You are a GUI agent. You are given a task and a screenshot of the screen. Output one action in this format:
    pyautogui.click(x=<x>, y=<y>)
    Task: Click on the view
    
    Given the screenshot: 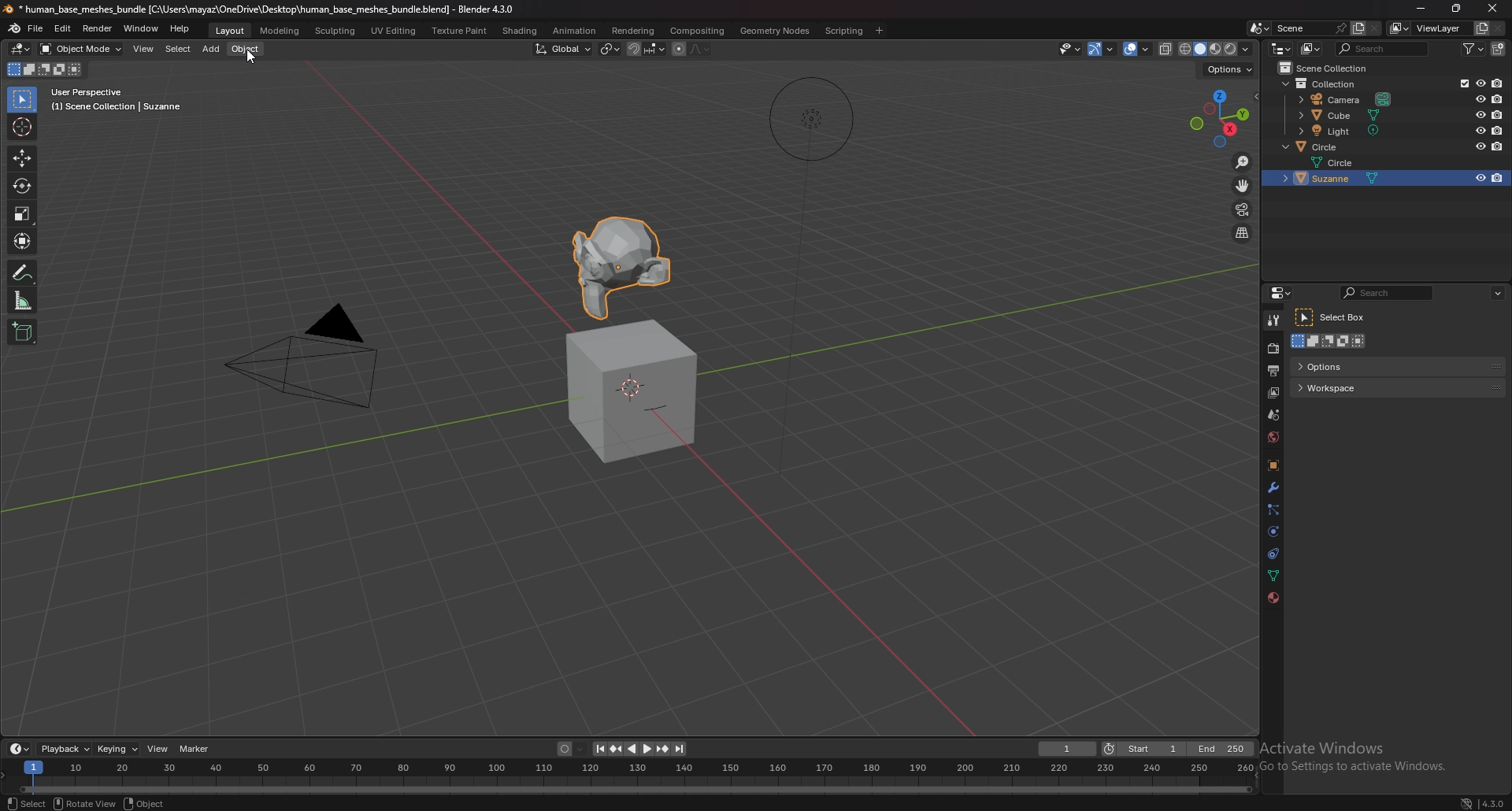 What is the action you would take?
    pyautogui.click(x=158, y=749)
    